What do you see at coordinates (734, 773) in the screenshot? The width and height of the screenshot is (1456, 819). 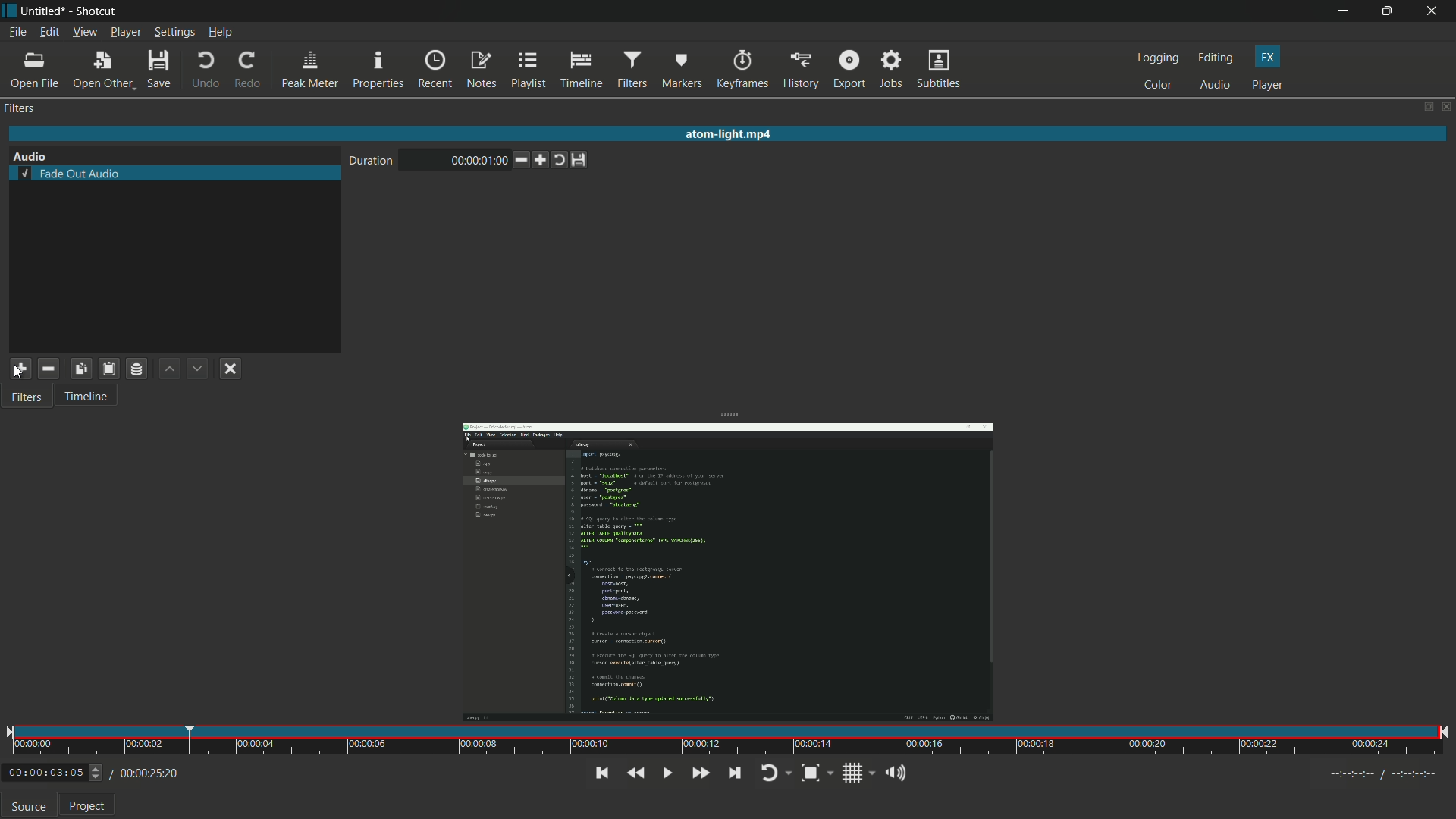 I see `skip to the next point` at bounding box center [734, 773].